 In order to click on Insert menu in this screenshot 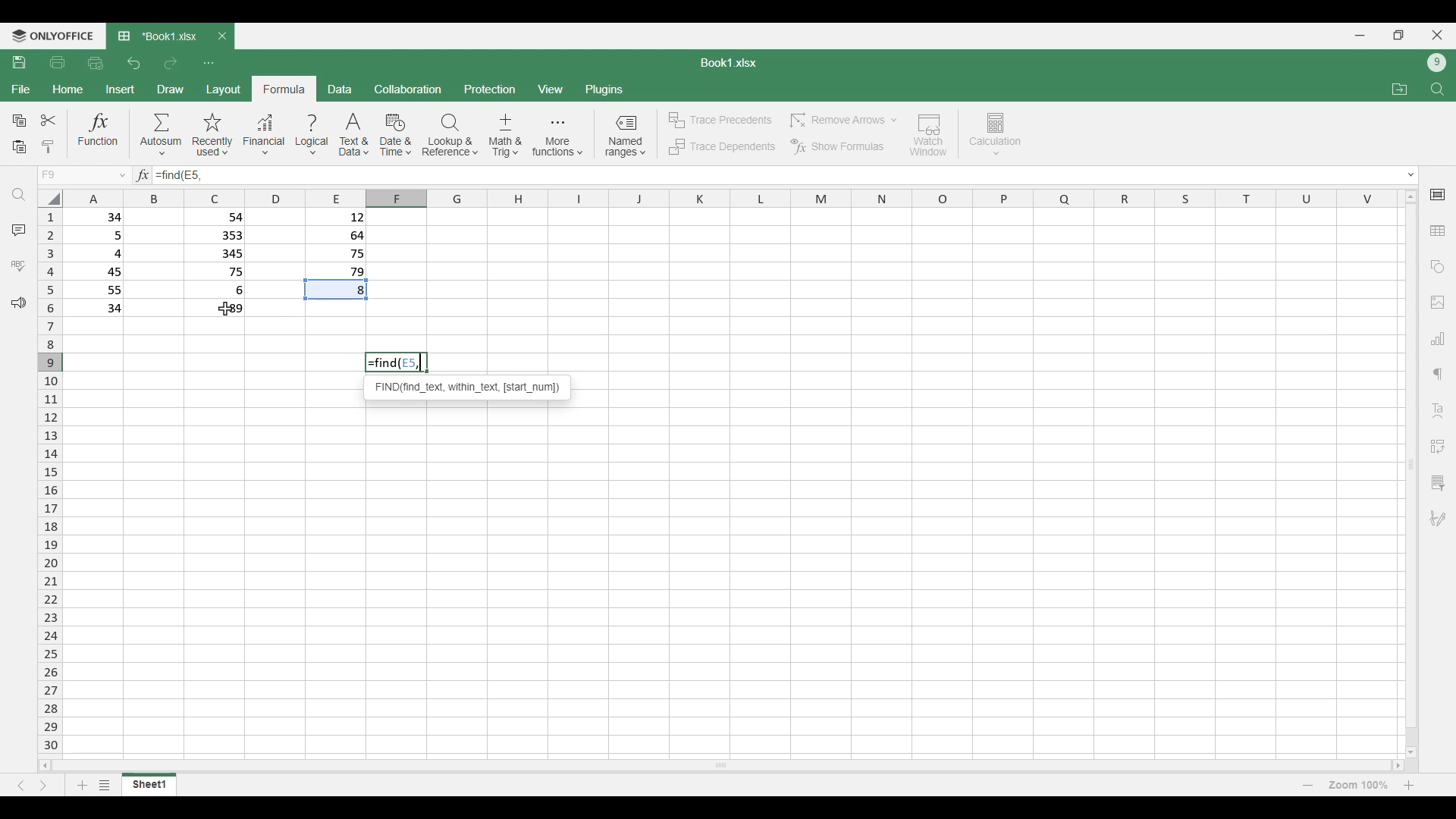, I will do `click(120, 89)`.